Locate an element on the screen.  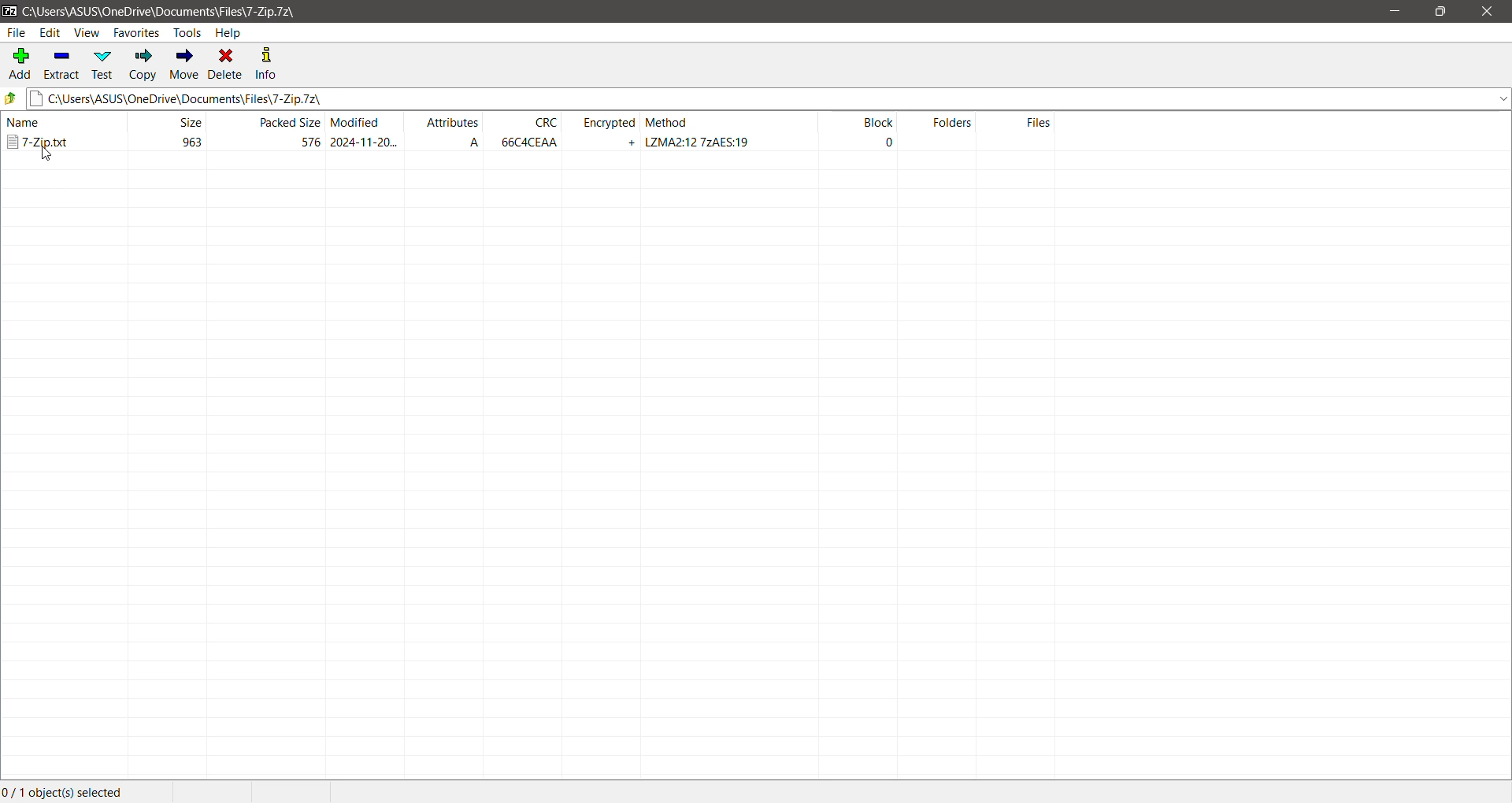
Copy is located at coordinates (143, 64).